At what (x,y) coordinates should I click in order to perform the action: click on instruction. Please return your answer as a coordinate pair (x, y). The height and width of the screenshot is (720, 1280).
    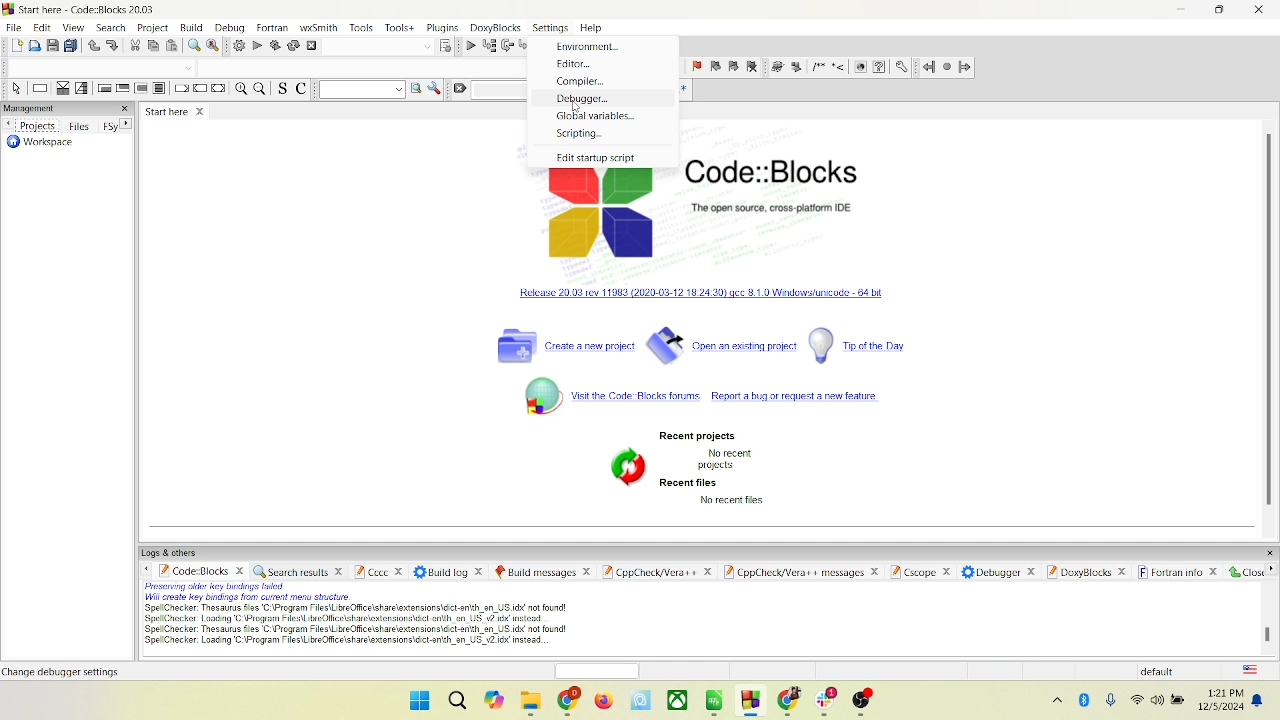
    Looking at the image, I should click on (42, 88).